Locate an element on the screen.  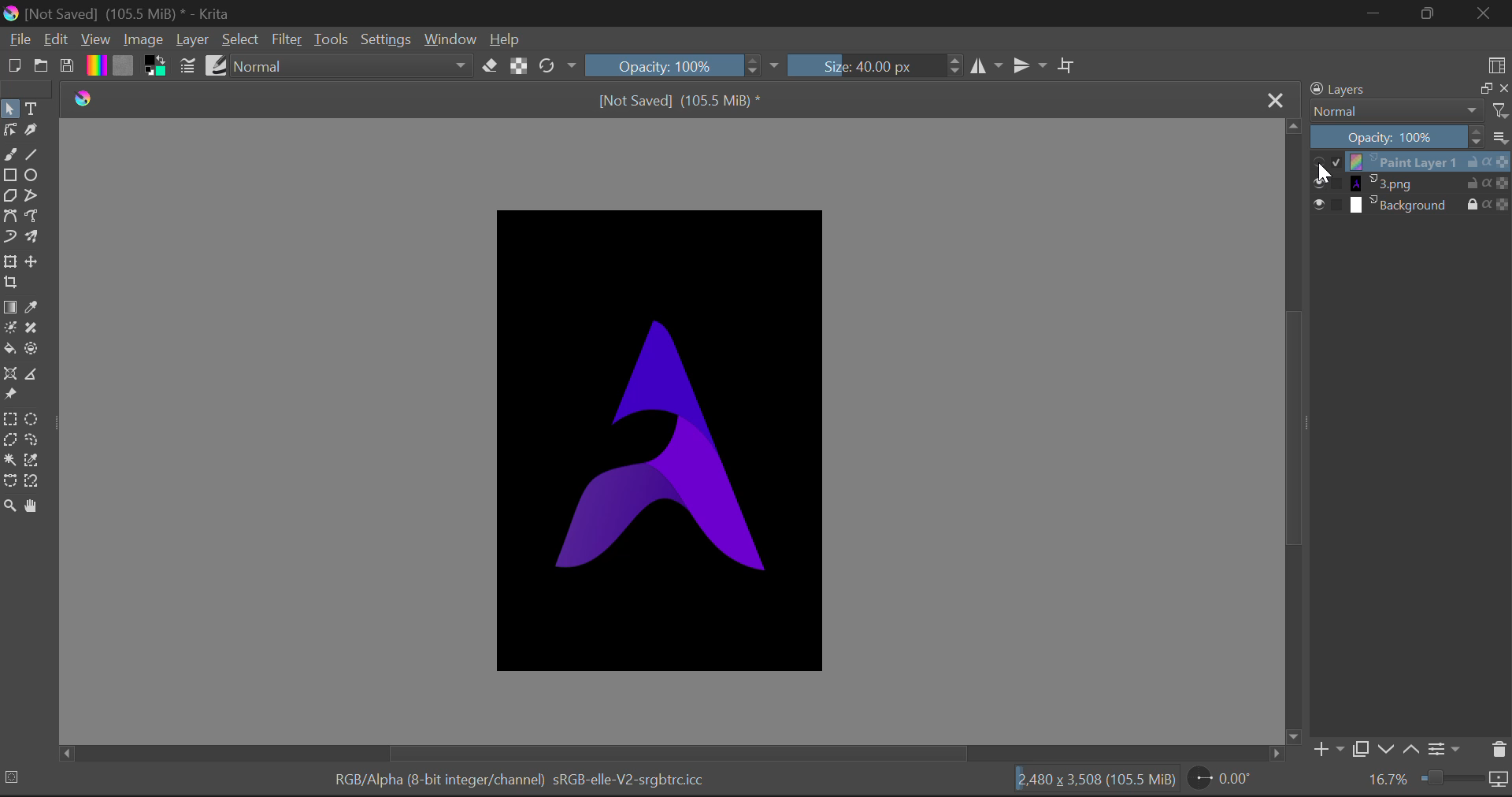
Freehand Selection is located at coordinates (32, 439).